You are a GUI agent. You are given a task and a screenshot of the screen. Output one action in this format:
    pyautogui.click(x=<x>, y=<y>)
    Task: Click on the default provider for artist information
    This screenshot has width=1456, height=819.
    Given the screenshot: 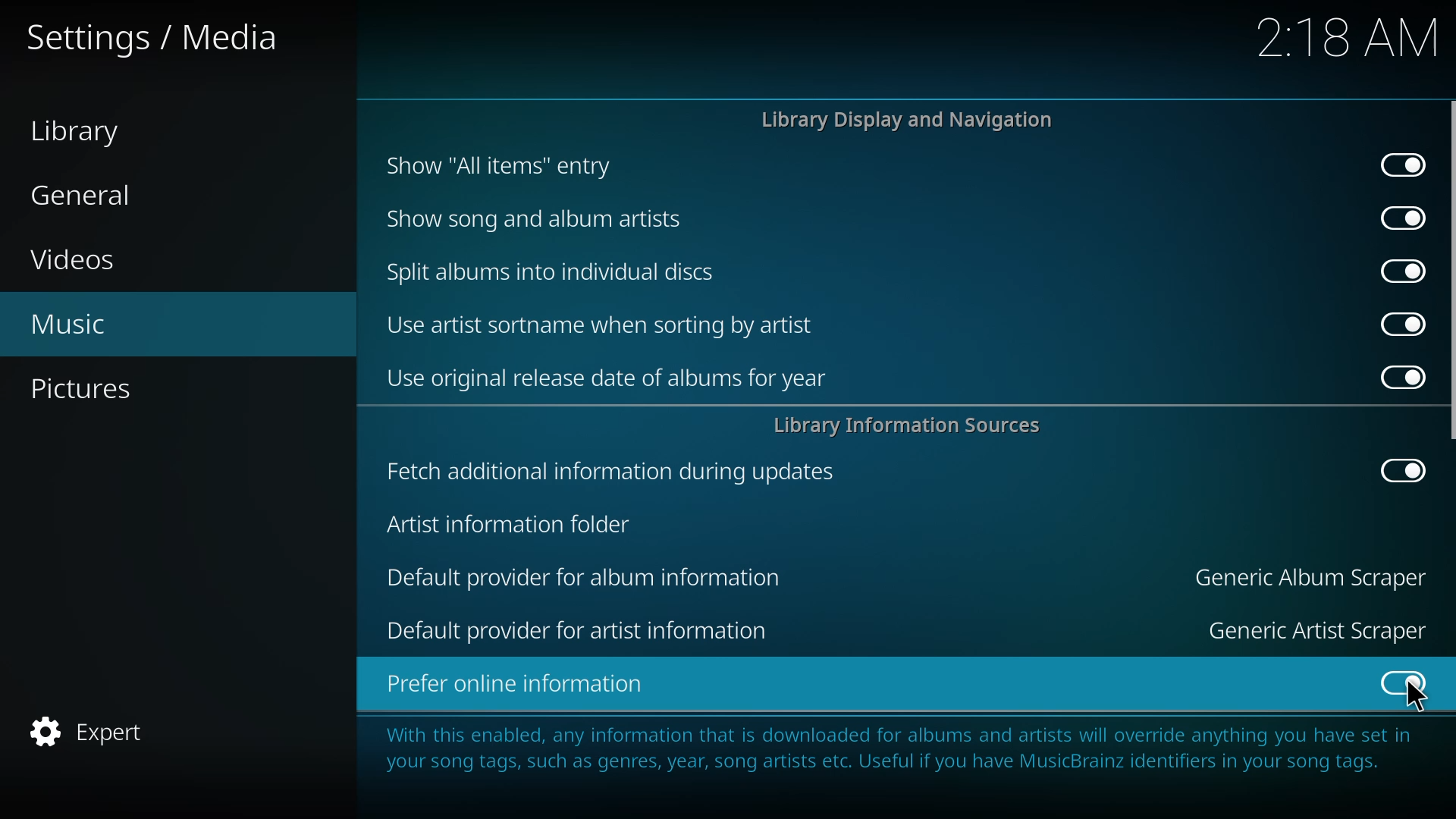 What is the action you would take?
    pyautogui.click(x=588, y=626)
    